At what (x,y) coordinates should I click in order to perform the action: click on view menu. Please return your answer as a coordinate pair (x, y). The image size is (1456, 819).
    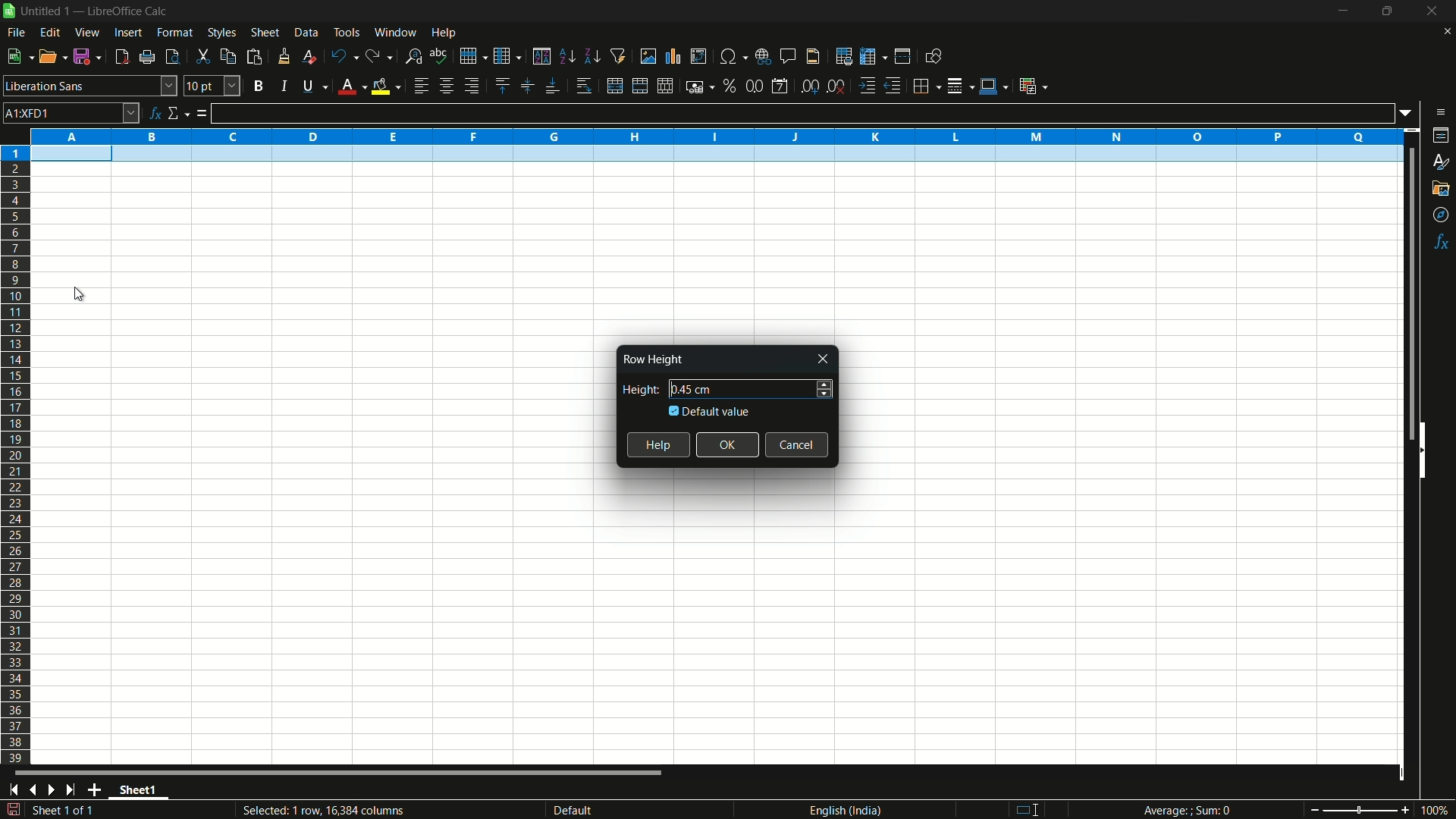
    Looking at the image, I should click on (88, 33).